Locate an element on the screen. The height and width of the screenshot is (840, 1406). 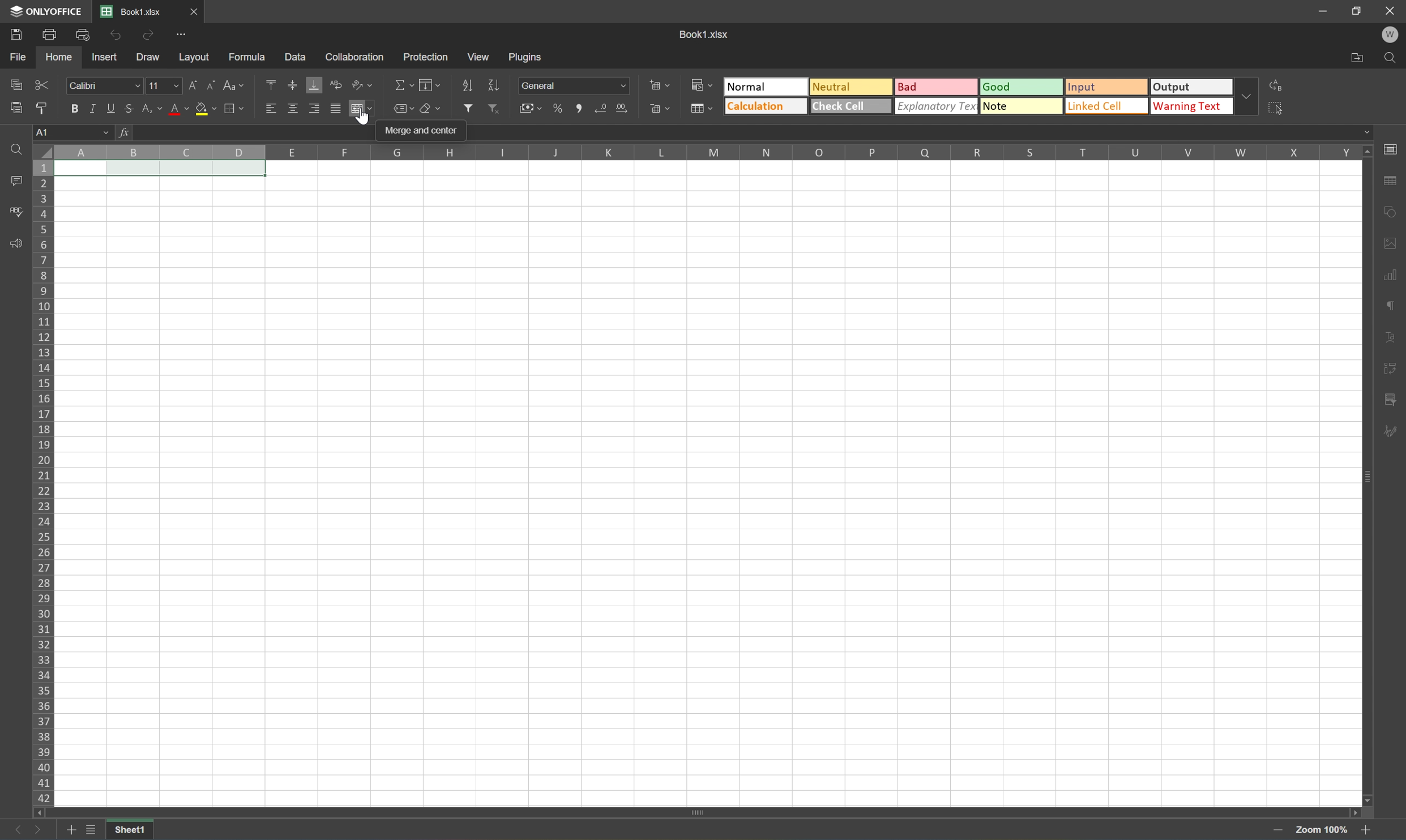
Open file location is located at coordinates (1357, 57).